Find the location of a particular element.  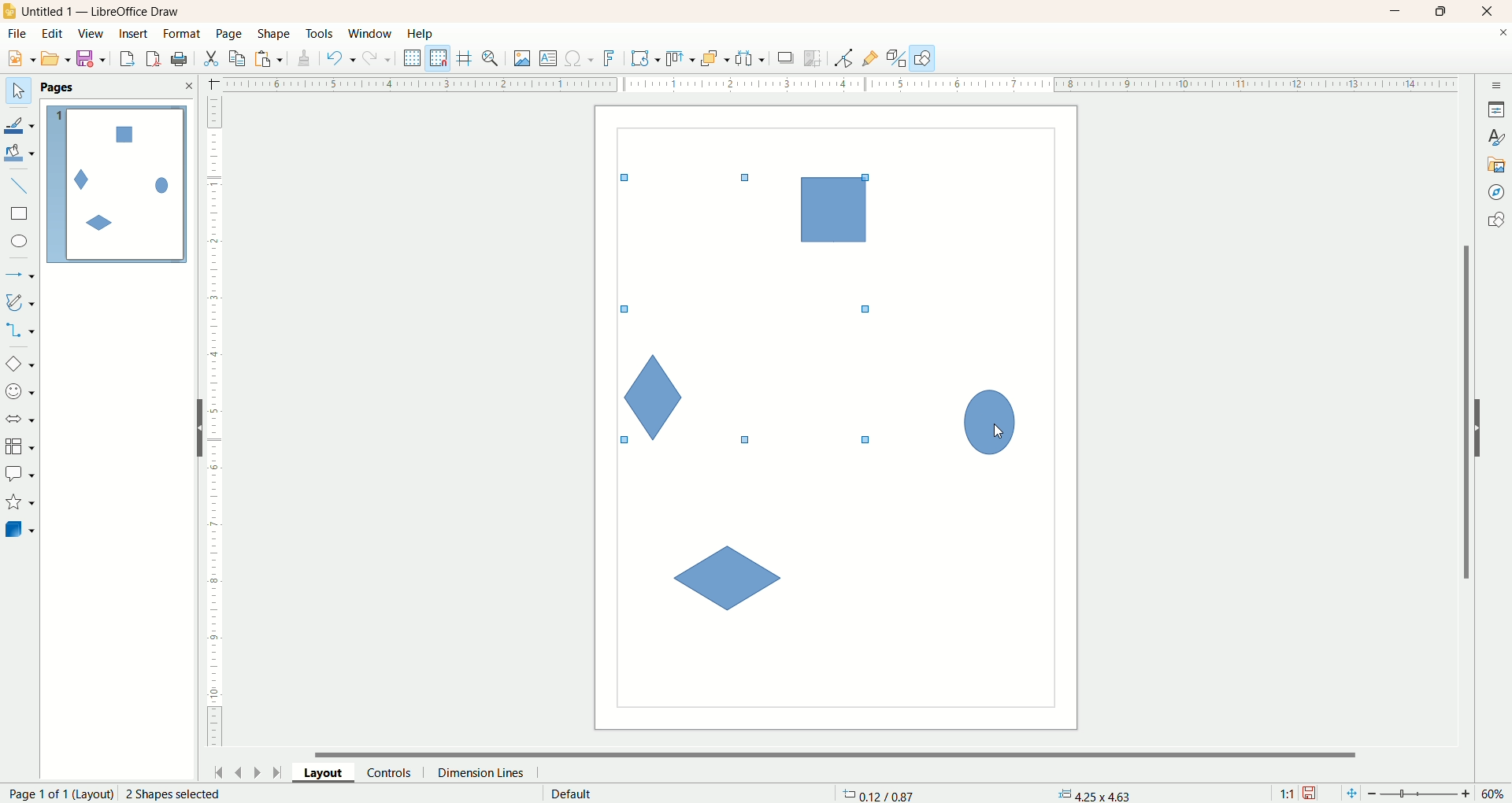

snap to grid is located at coordinates (442, 58).